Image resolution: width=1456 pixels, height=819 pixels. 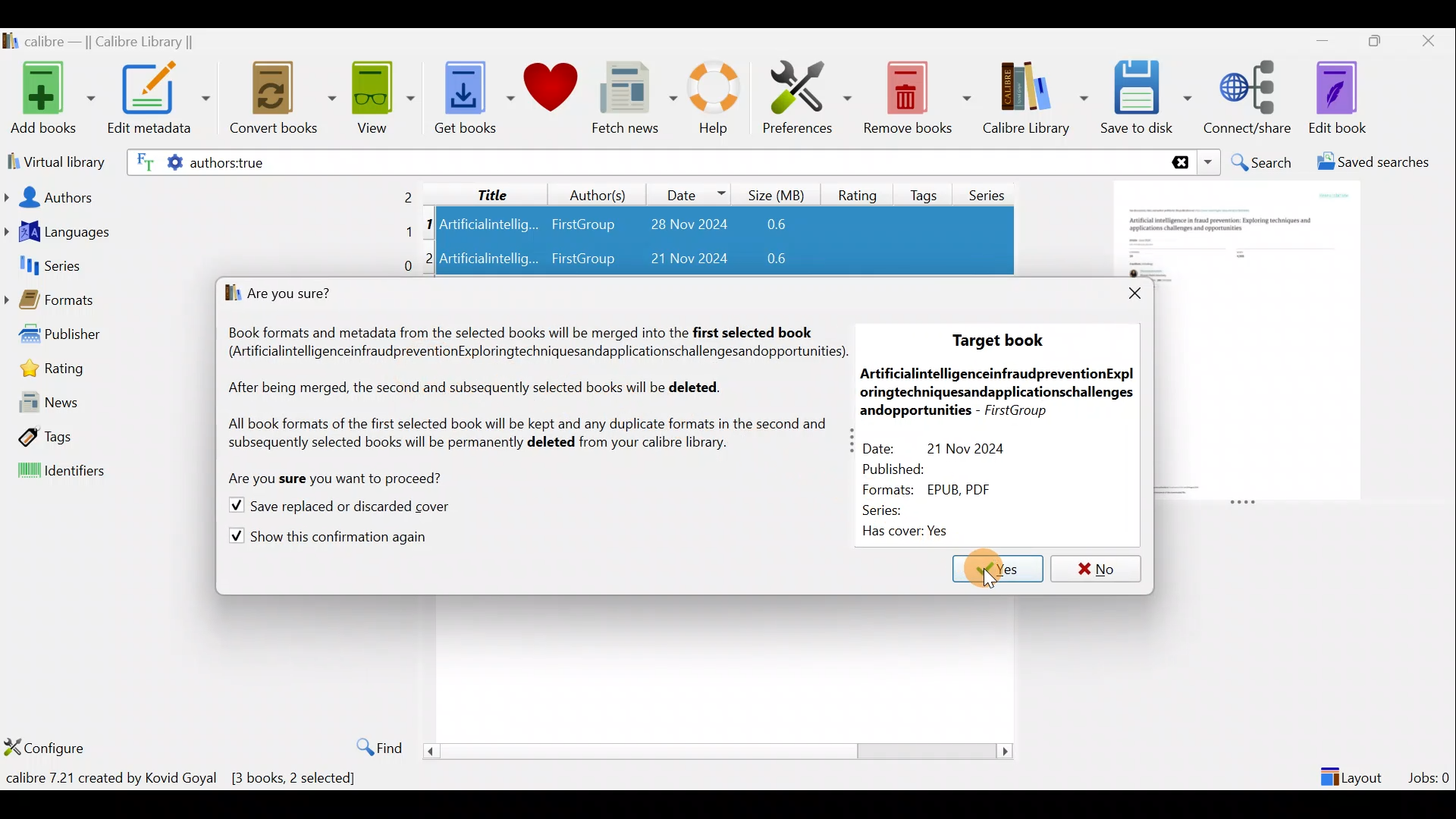 I want to click on Maximize, so click(x=1382, y=42).